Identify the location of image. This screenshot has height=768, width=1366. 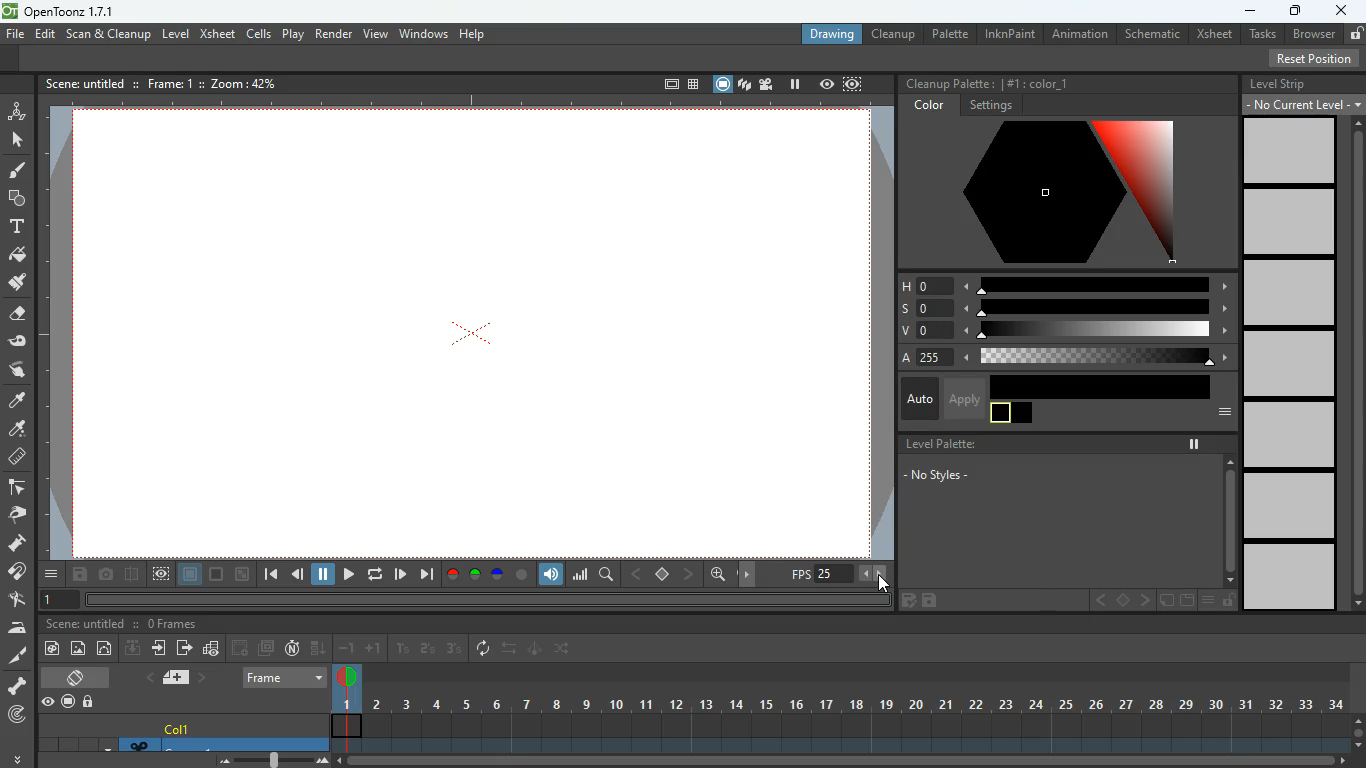
(78, 650).